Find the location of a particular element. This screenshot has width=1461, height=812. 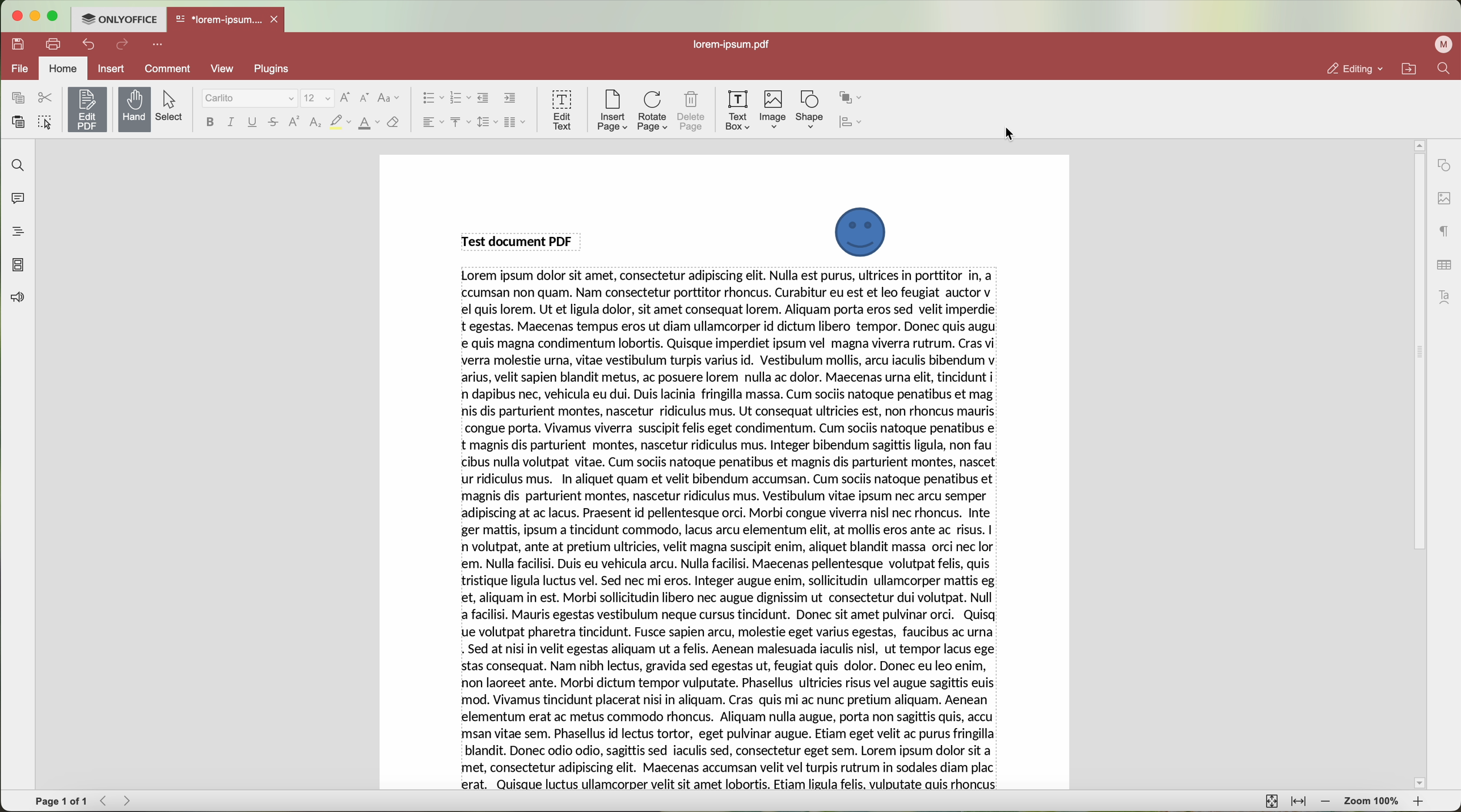

home is located at coordinates (65, 67).